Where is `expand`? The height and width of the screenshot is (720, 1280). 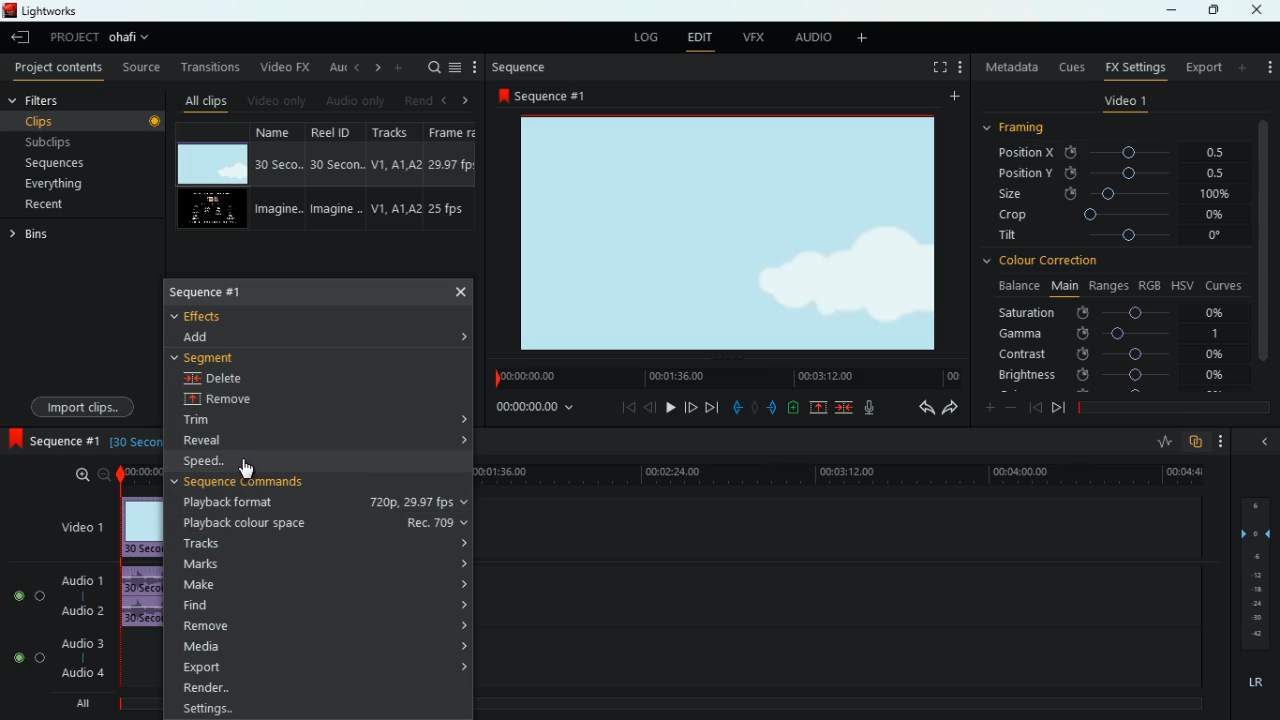 expand is located at coordinates (461, 438).